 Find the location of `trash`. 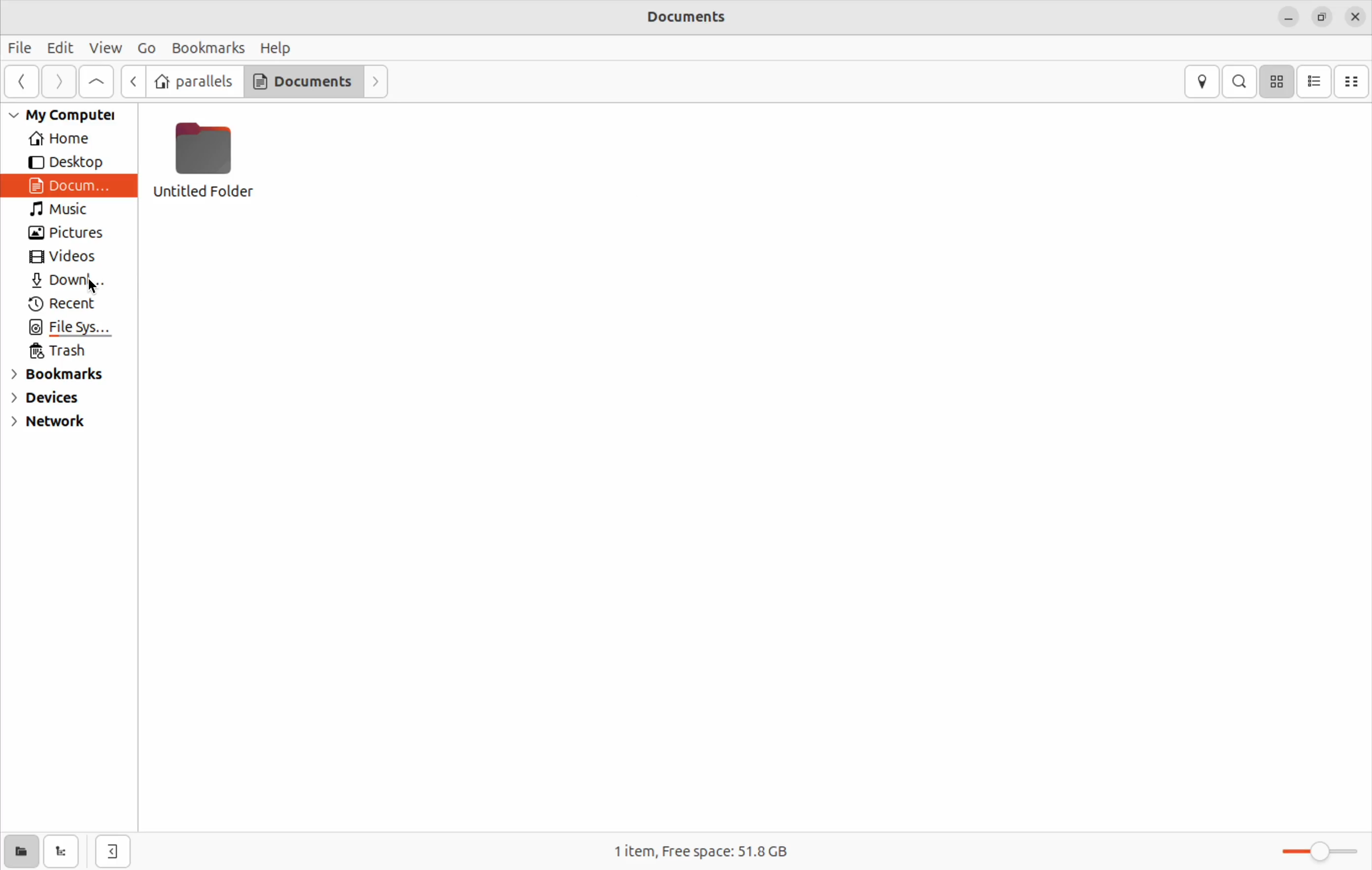

trash is located at coordinates (60, 352).